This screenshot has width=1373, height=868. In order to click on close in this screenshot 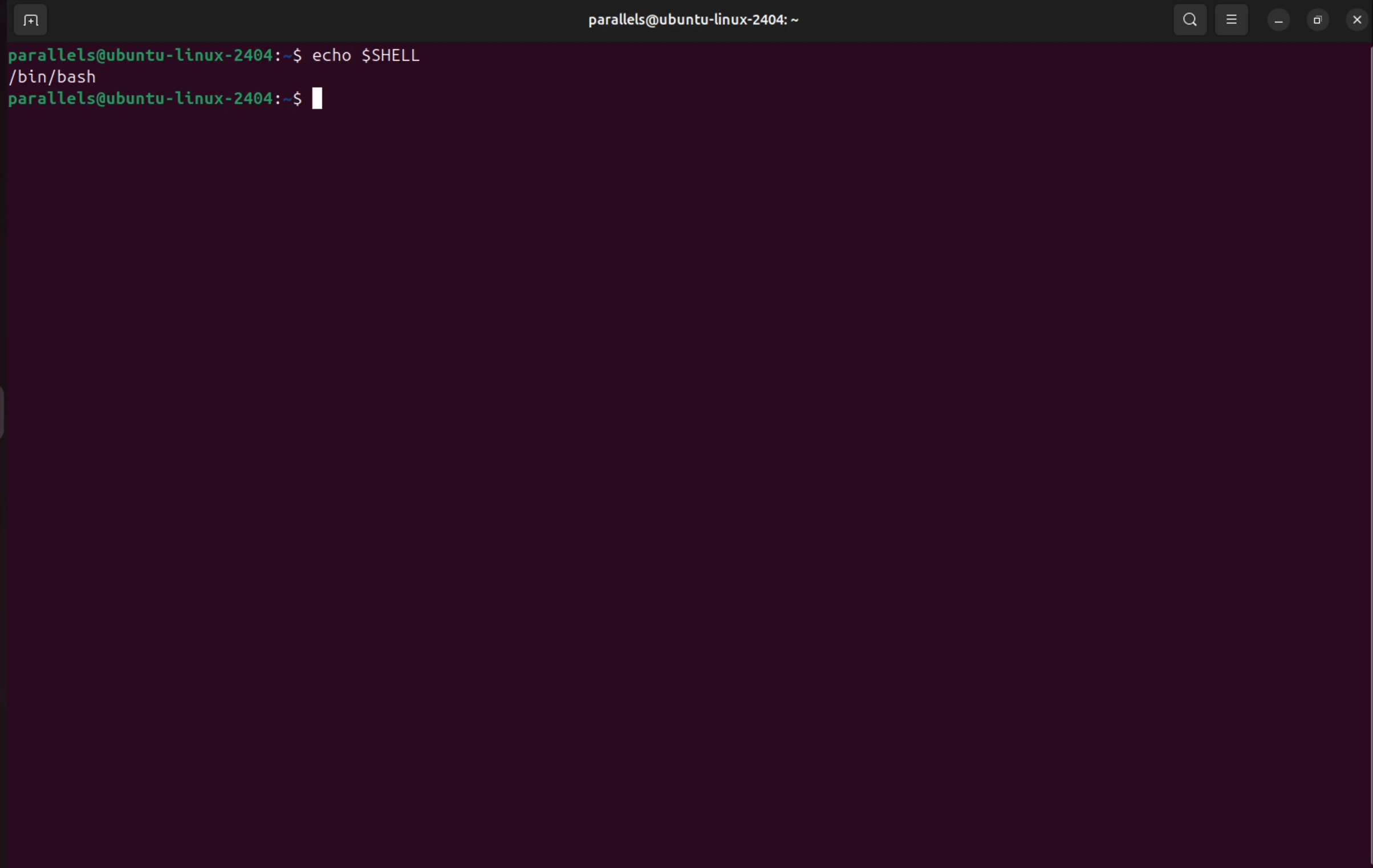, I will do `click(1356, 19)`.